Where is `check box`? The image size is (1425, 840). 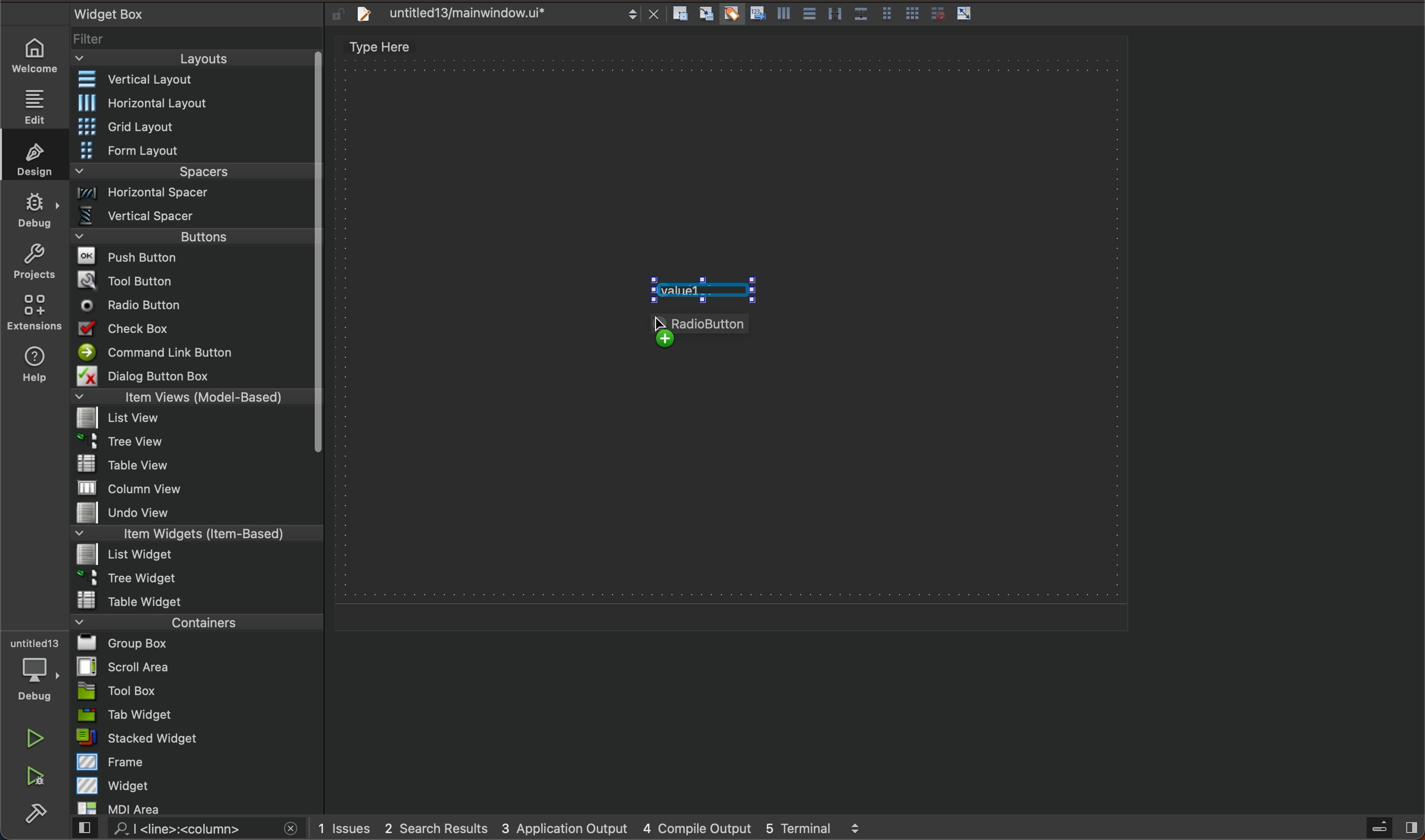 check box is located at coordinates (192, 331).